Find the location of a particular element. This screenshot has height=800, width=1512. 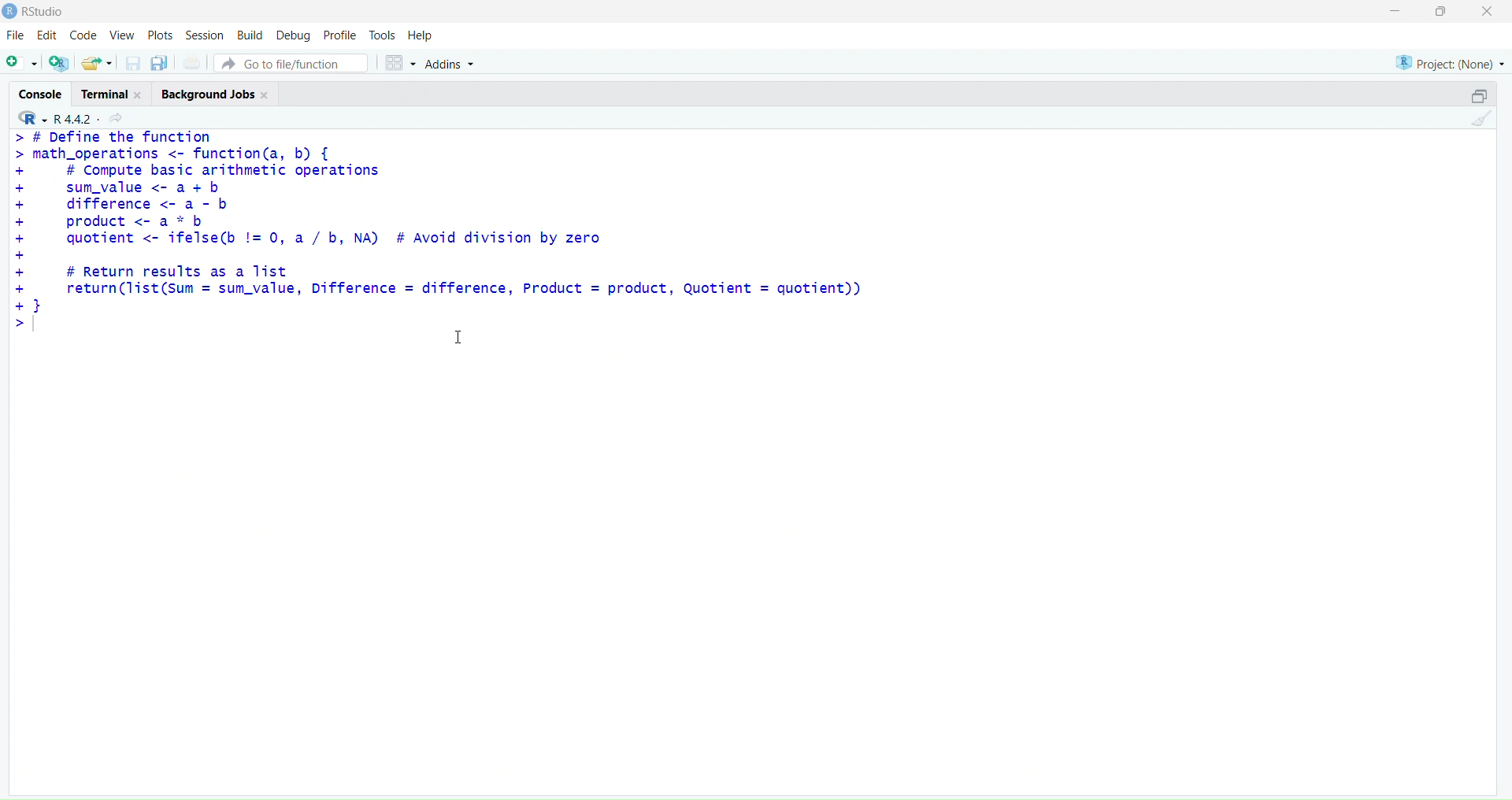

> # DeTine the Tunction
> math_operations <- function(a, b) {
+ # Compute basic arithmetic operations
+ sum_value <- a + b
+ difference <- a - b
+ product <- a * b
+ quotient <- ifelse(b != 0, a / b, NA) # Avoid division by zero
+
+ # Return results as a list
+ return(1ist(Sum = sum_value, Difference = difference, Product = product, Quotient = quotient))
+}
>|
I is located at coordinates (447, 243).